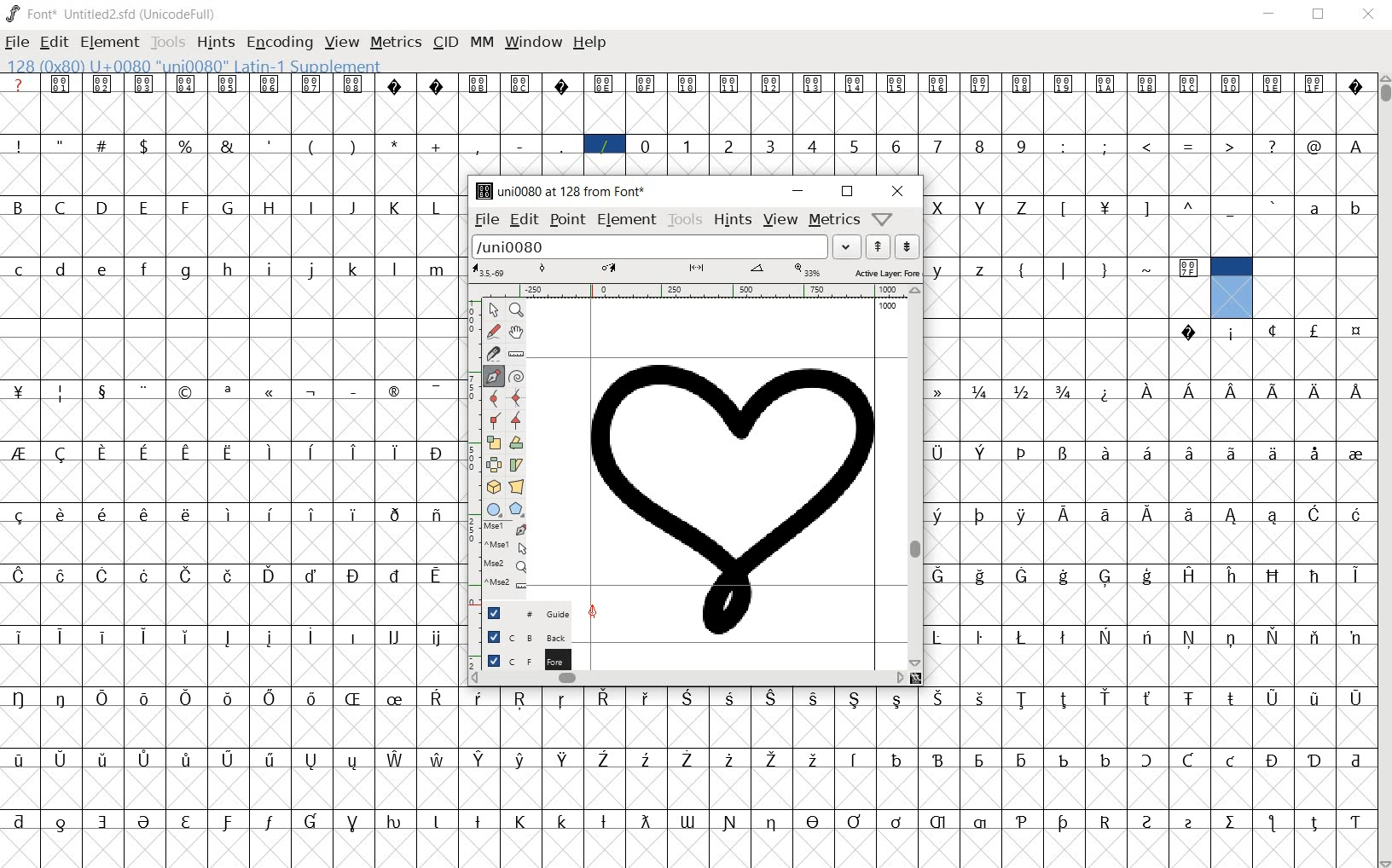 This screenshot has height=868, width=1392. What do you see at coordinates (227, 638) in the screenshot?
I see `glyph` at bounding box center [227, 638].